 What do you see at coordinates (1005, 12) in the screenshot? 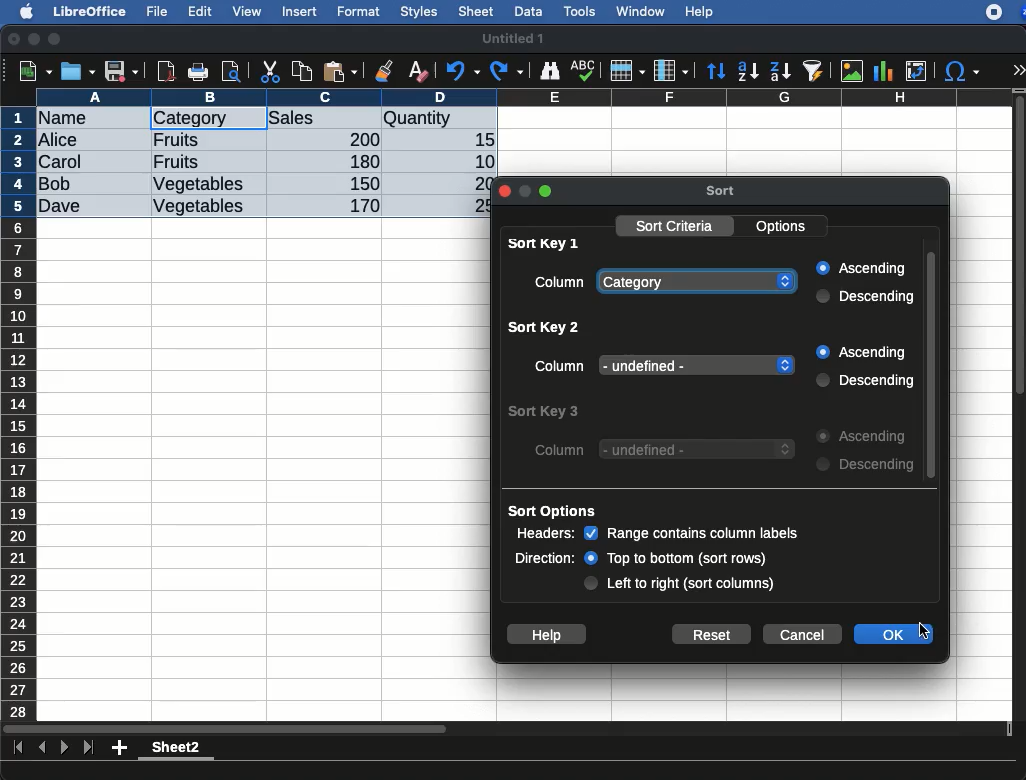
I see `extensions` at bounding box center [1005, 12].